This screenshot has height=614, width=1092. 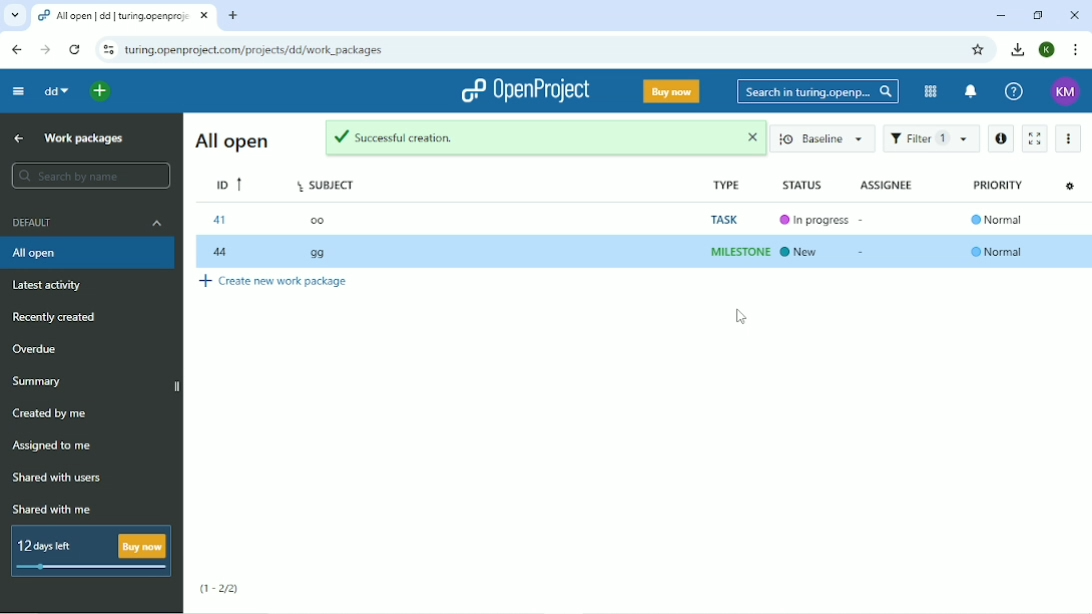 I want to click on ID, so click(x=227, y=184).